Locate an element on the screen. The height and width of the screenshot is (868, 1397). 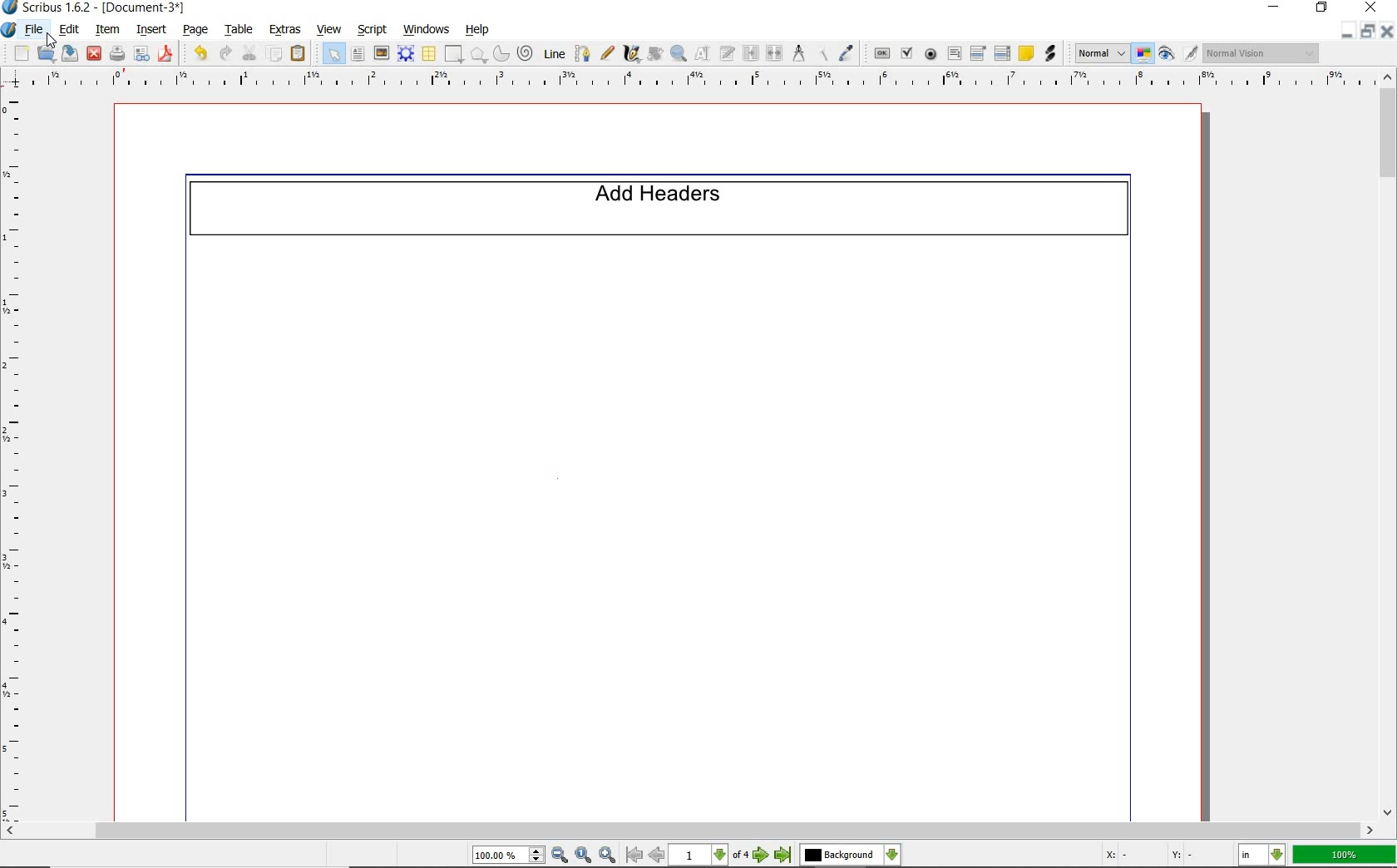
insert is located at coordinates (151, 28).